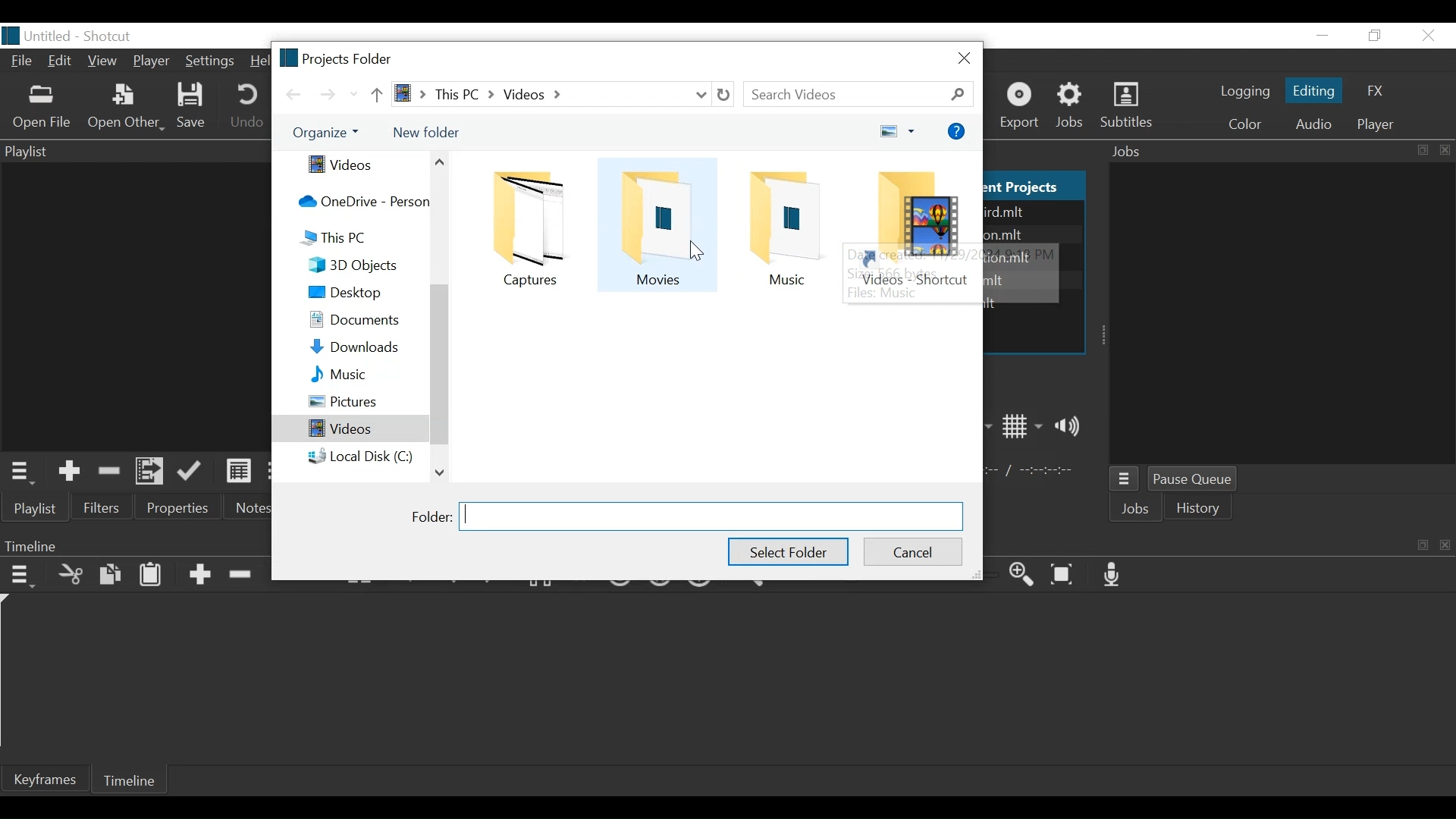  What do you see at coordinates (322, 134) in the screenshot?
I see `Organize` at bounding box center [322, 134].